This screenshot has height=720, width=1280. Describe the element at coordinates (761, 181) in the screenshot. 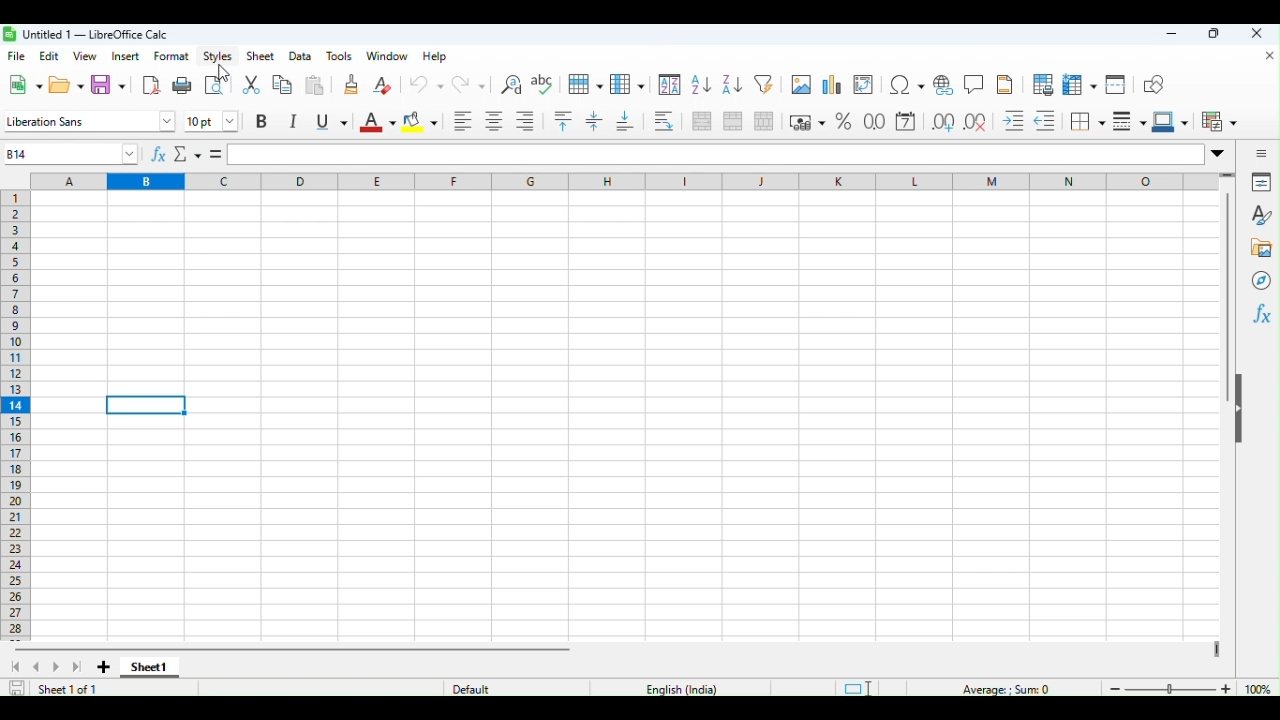

I see `j` at that location.